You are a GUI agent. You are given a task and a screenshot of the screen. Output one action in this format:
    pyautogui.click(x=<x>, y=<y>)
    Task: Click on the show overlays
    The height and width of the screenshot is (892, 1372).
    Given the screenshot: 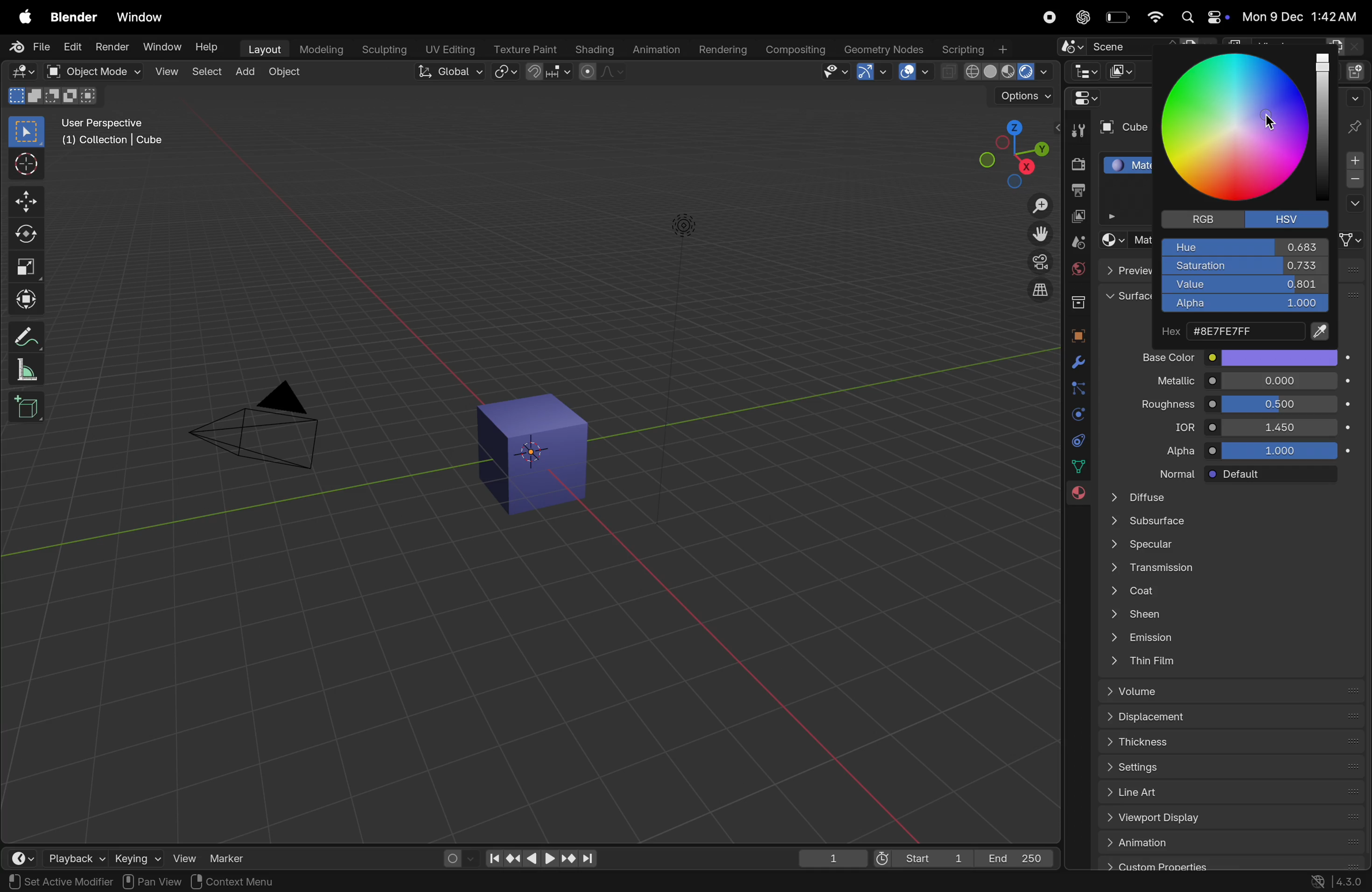 What is the action you would take?
    pyautogui.click(x=916, y=72)
    